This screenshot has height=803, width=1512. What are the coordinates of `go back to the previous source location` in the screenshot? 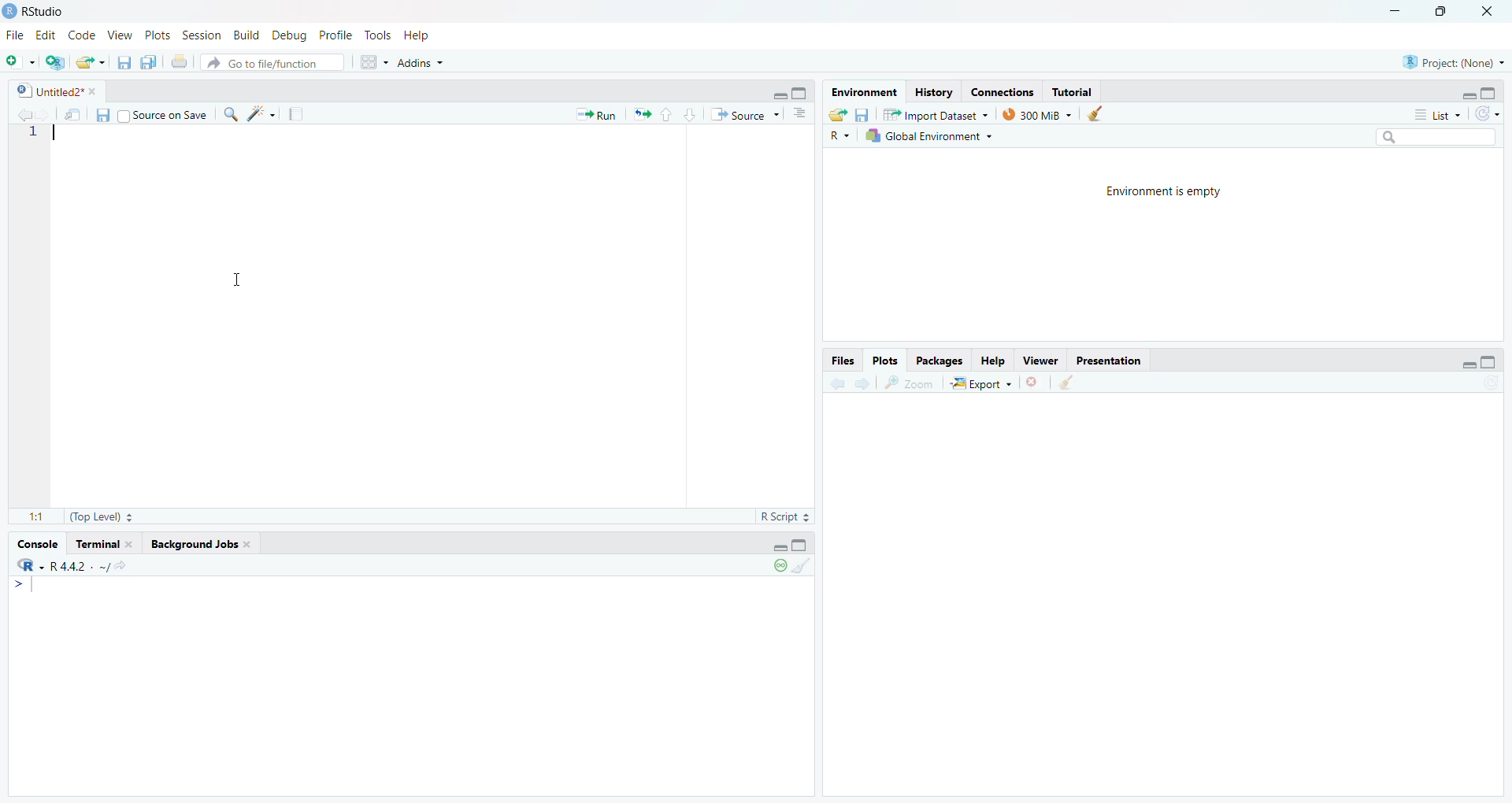 It's located at (21, 116).